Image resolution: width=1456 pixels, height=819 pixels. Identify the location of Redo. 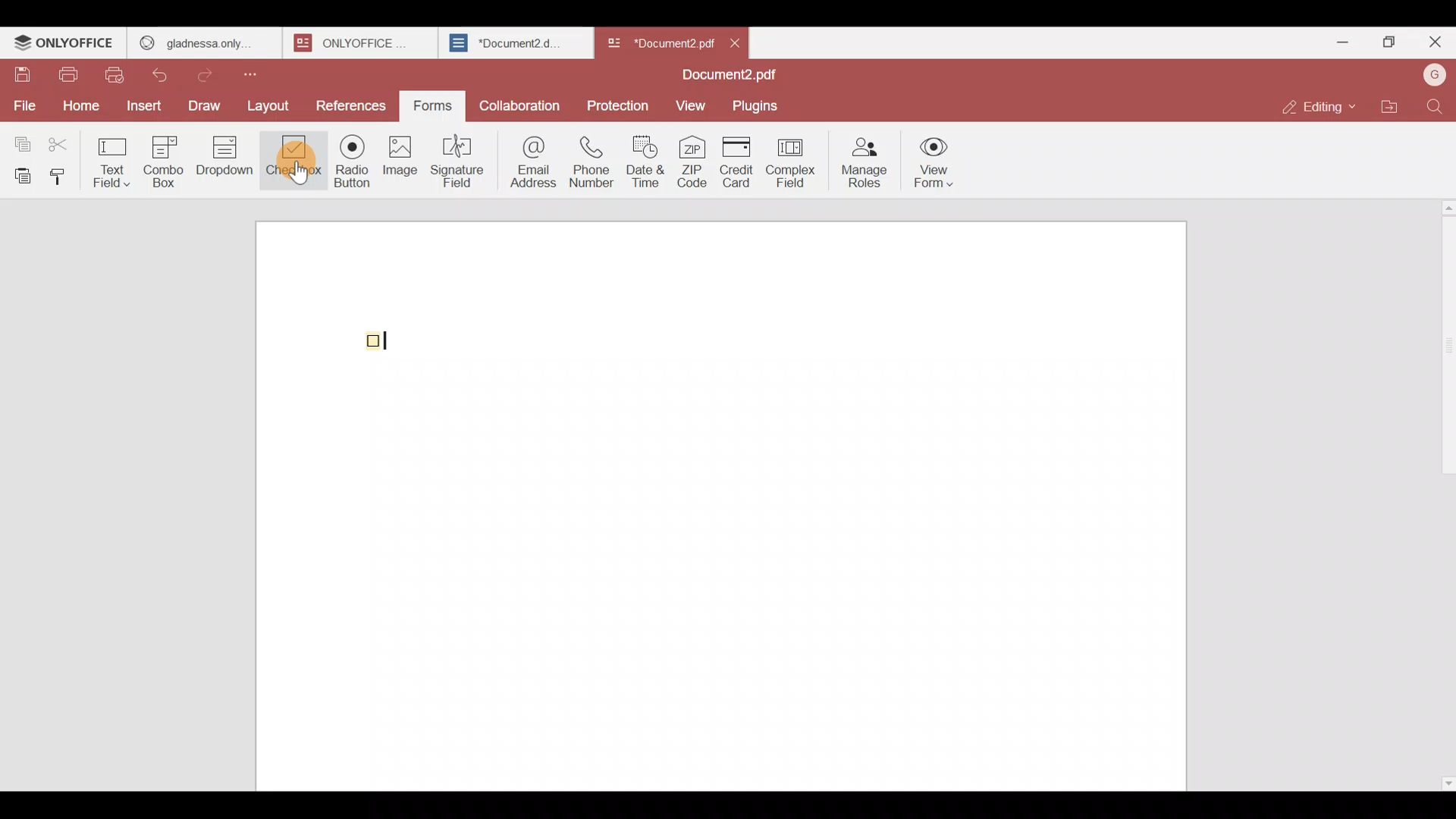
(212, 71).